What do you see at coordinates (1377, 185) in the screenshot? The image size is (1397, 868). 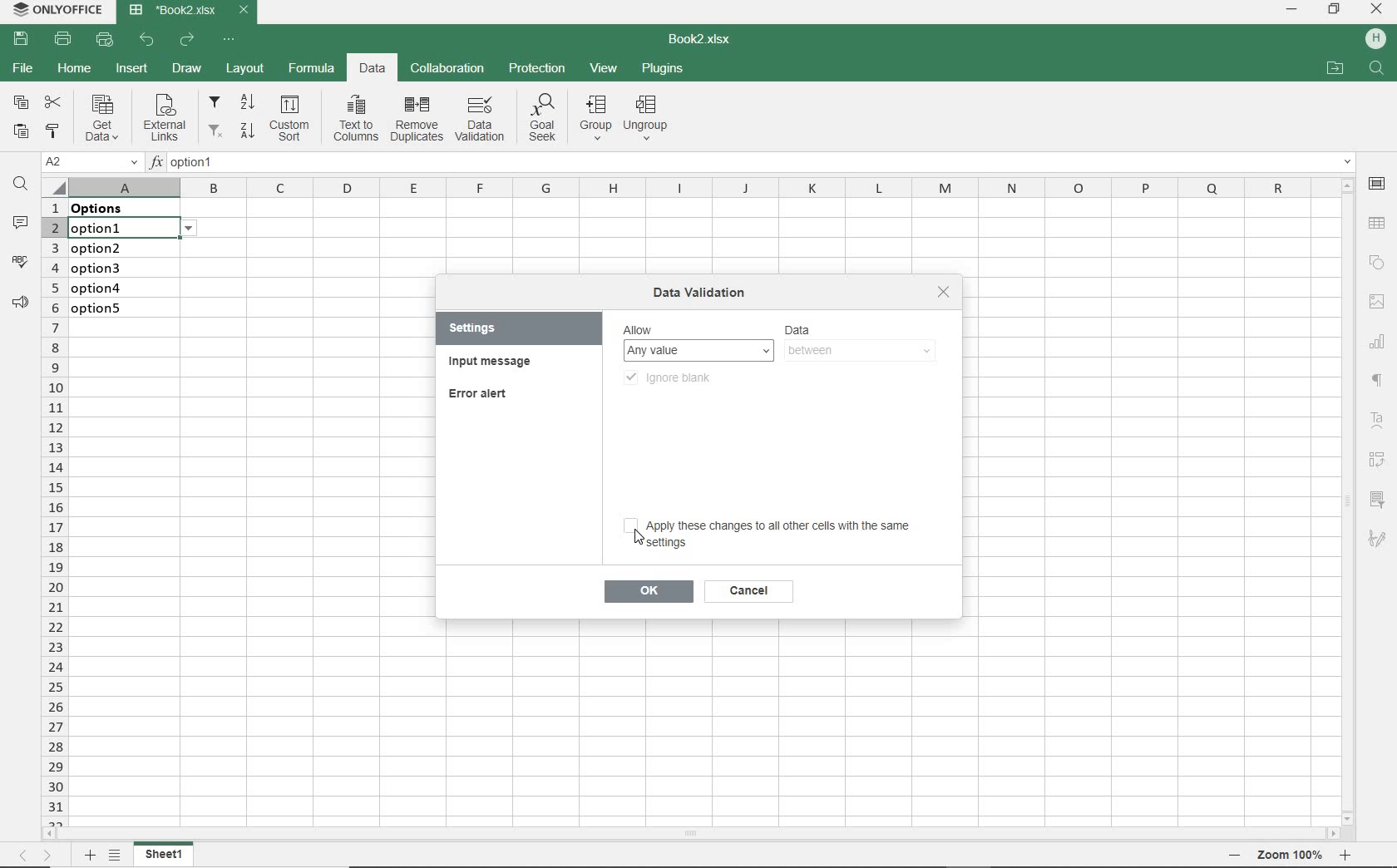 I see `CELL SETTINGS` at bounding box center [1377, 185].